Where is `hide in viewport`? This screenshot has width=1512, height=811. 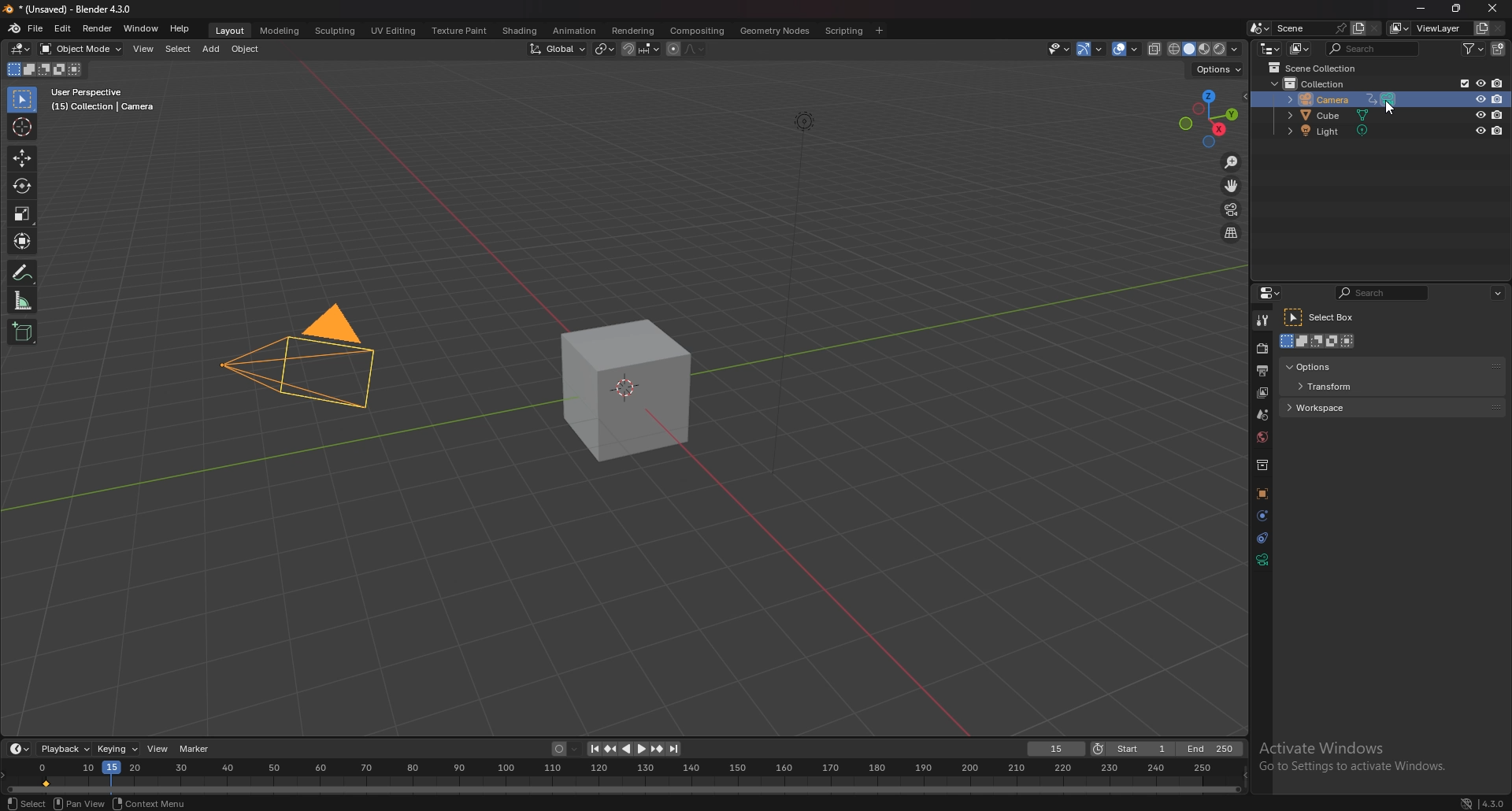
hide in viewport is located at coordinates (1479, 83).